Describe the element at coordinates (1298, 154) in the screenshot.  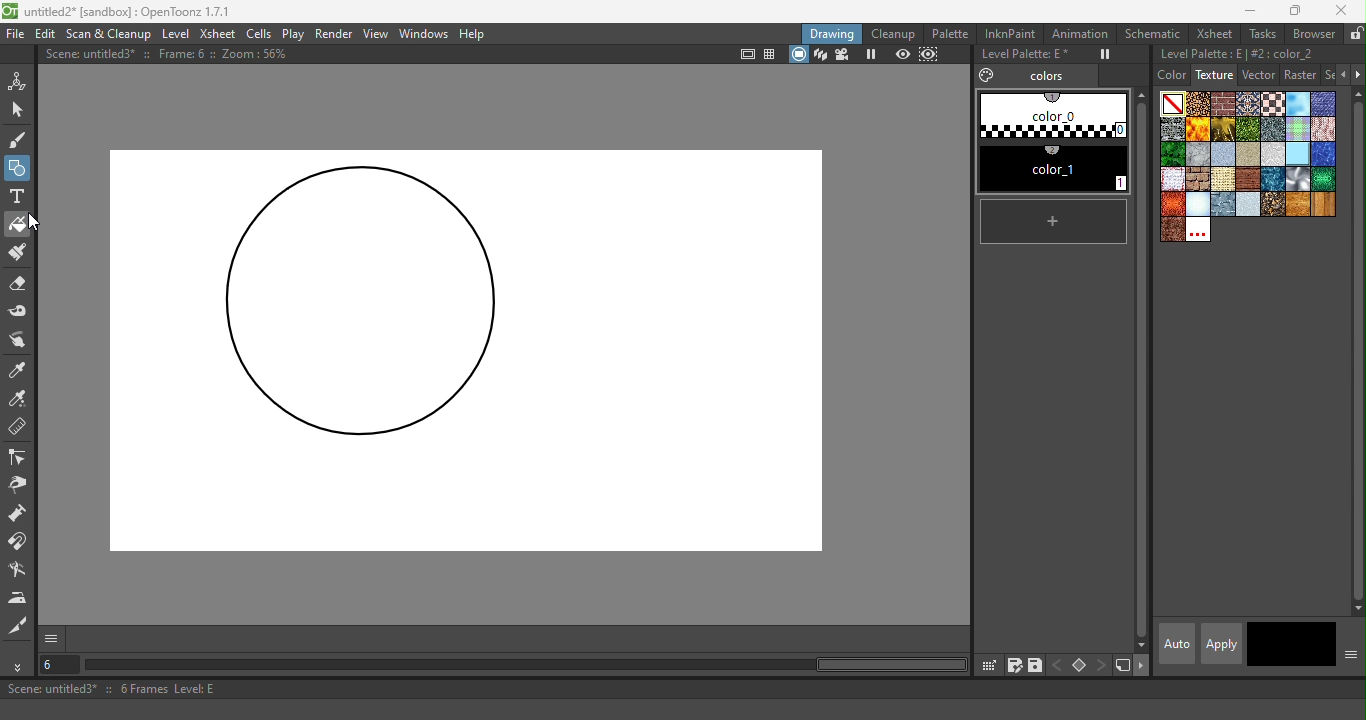
I see `piastrell.bmp` at that location.